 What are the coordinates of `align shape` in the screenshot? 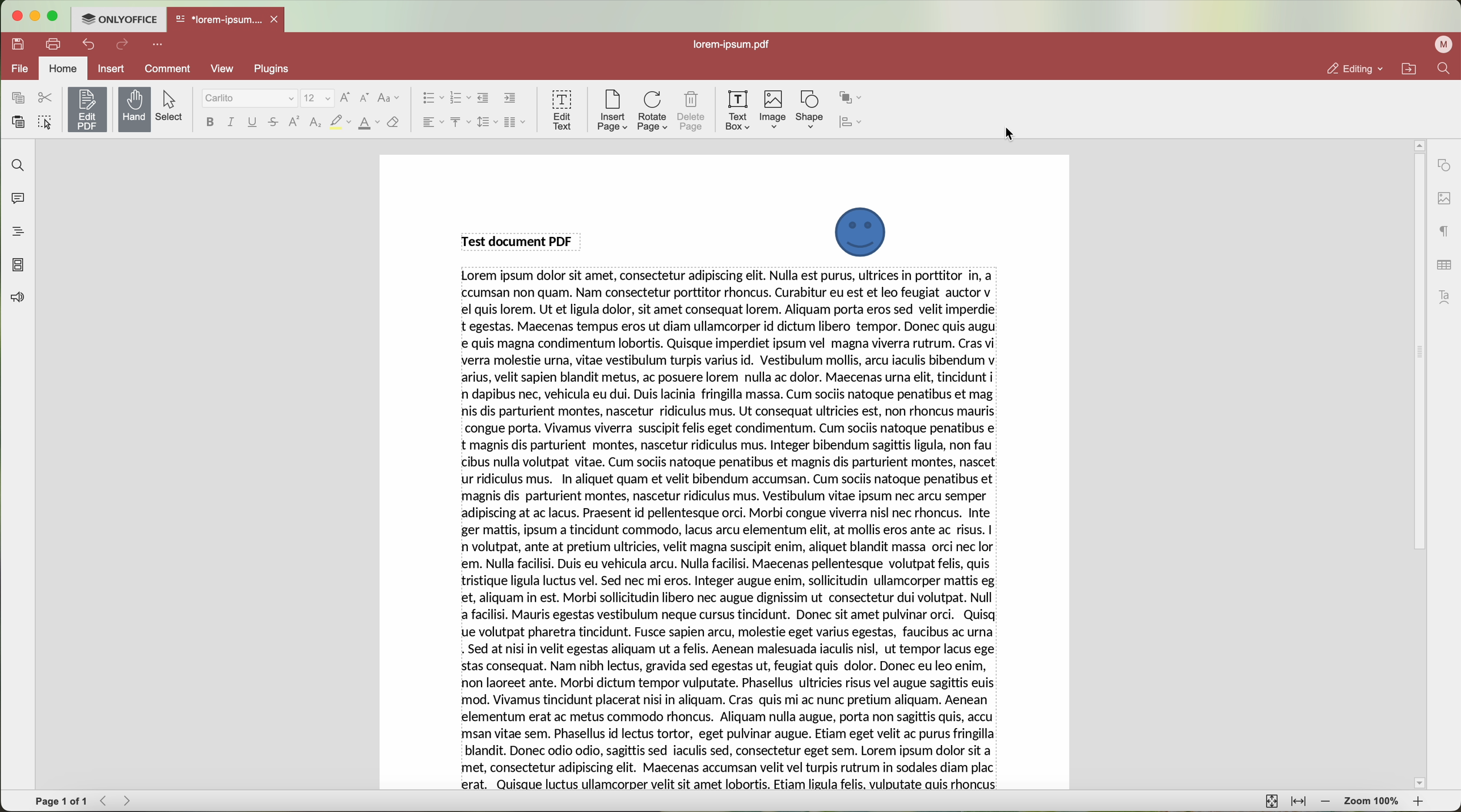 It's located at (856, 123).